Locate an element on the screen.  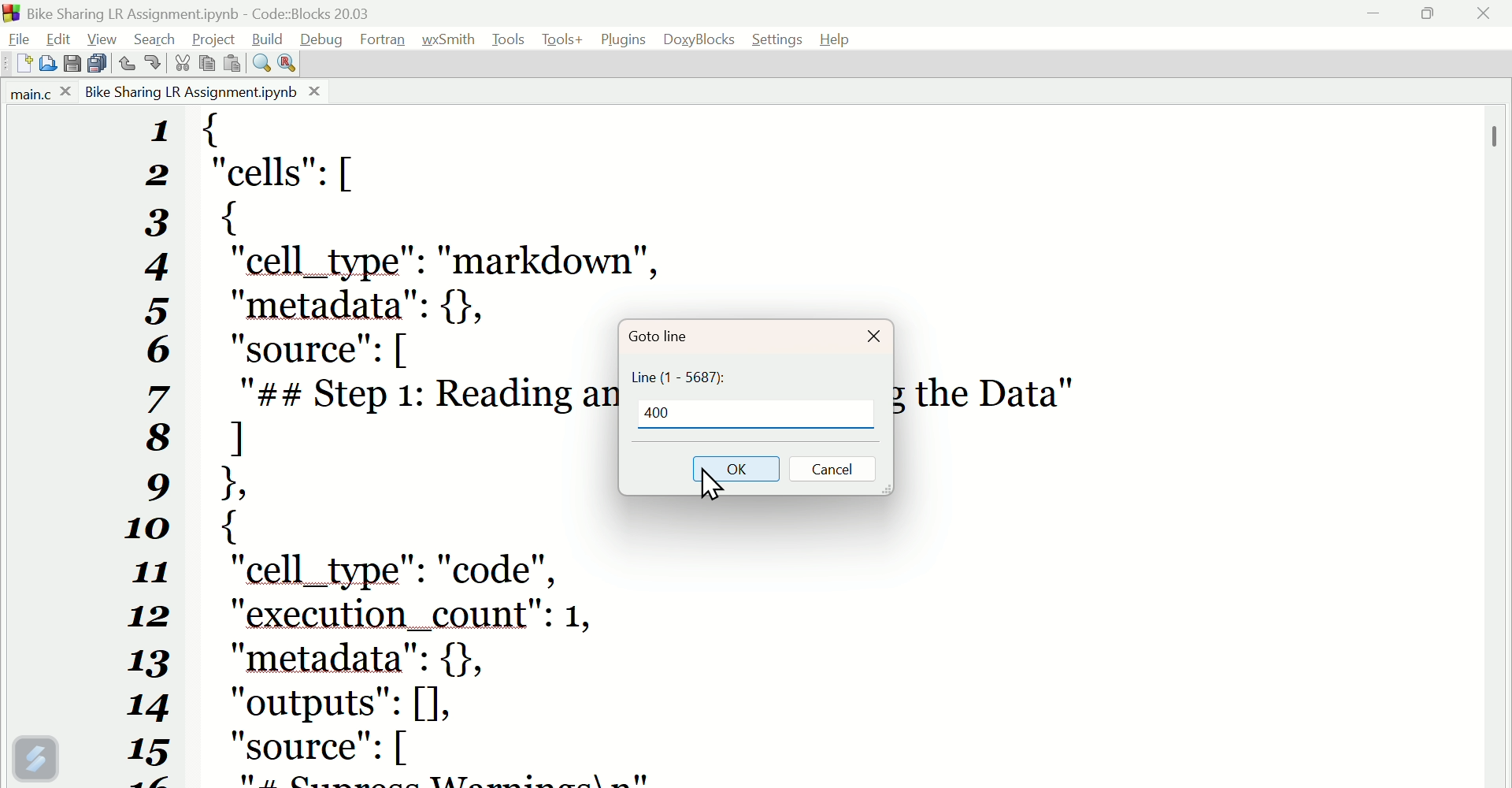
Cut is located at coordinates (178, 63).